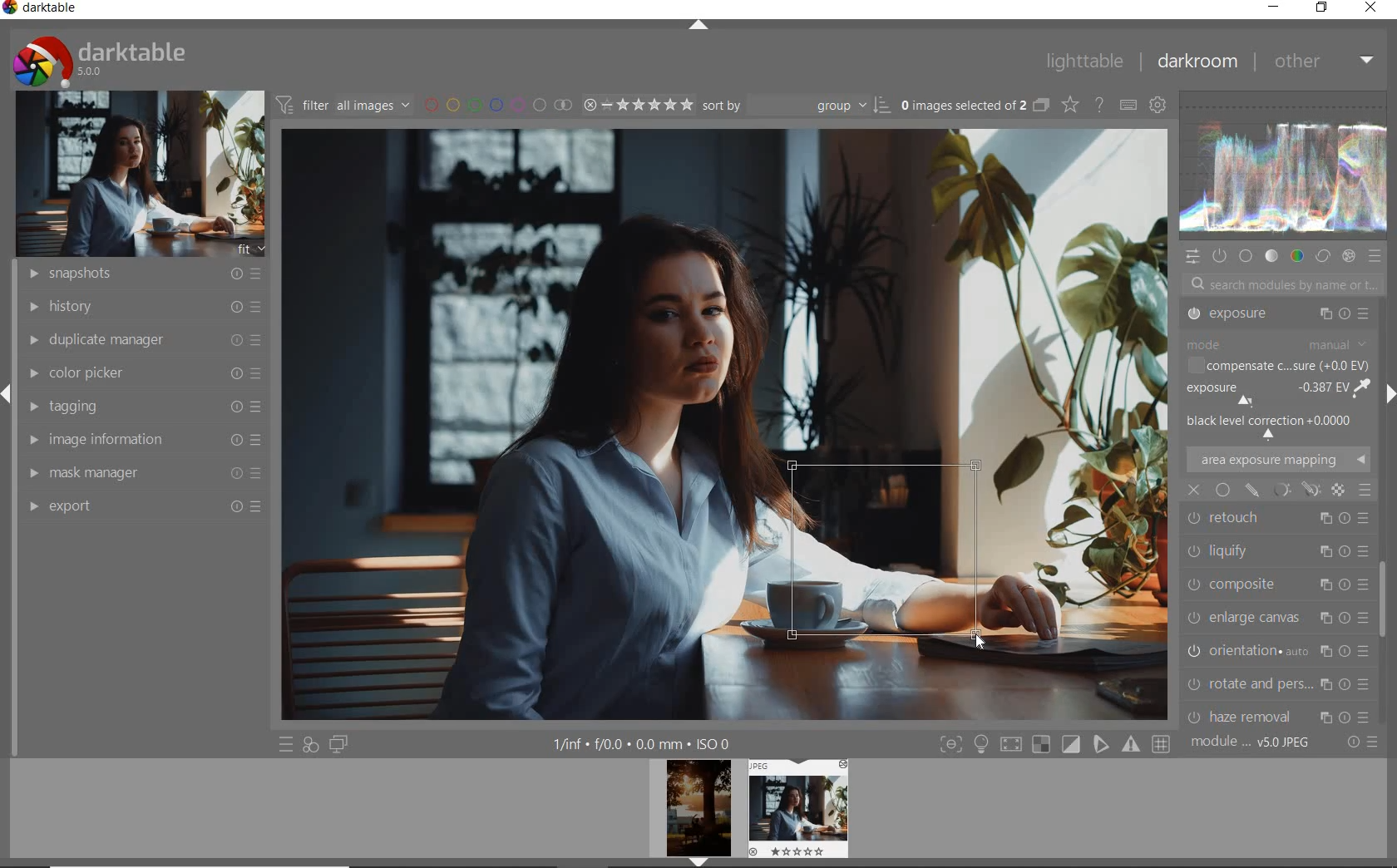  I want to click on IMAGE PREVIEW, so click(698, 814).